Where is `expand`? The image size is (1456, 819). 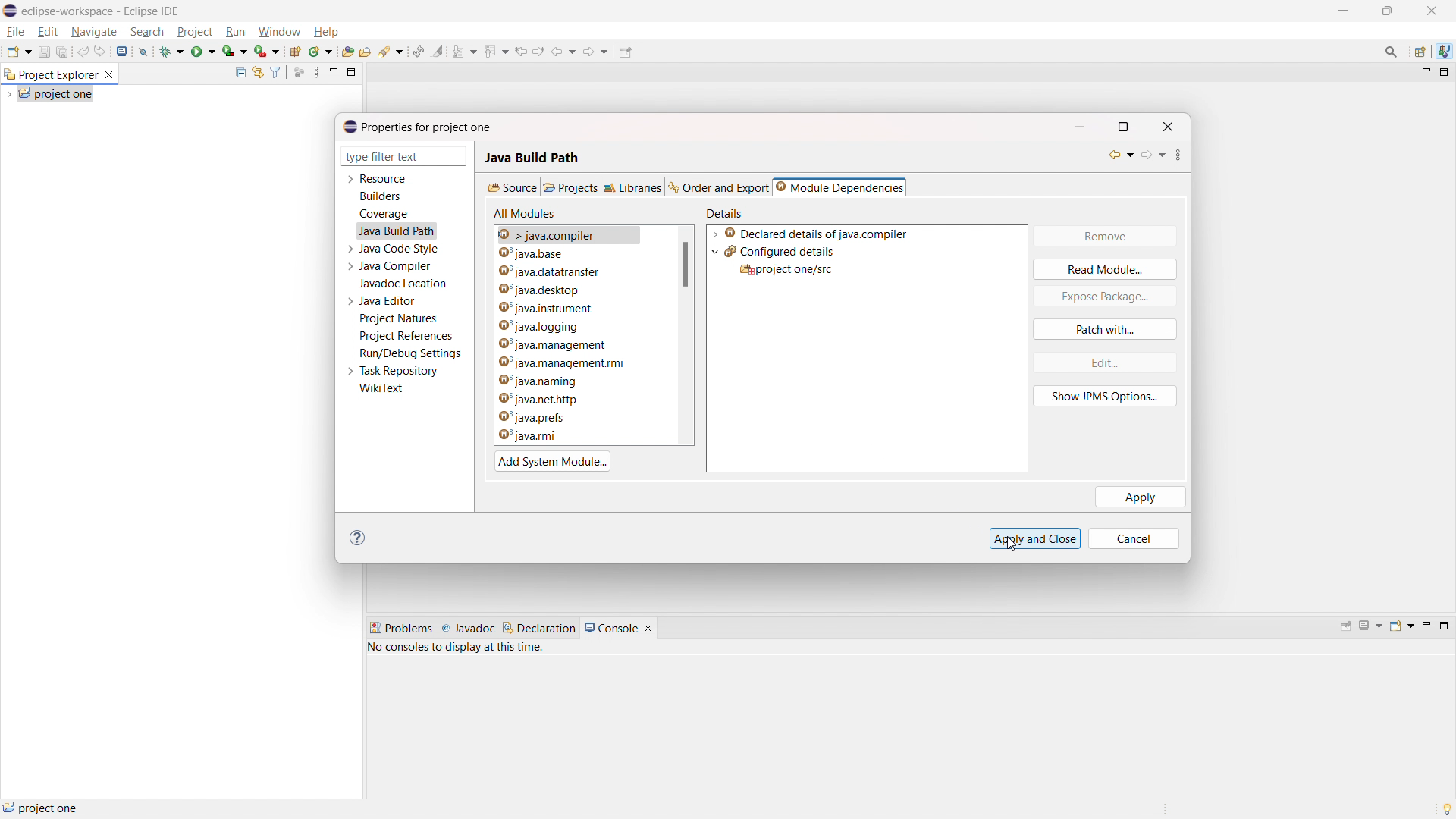
expand is located at coordinates (714, 234).